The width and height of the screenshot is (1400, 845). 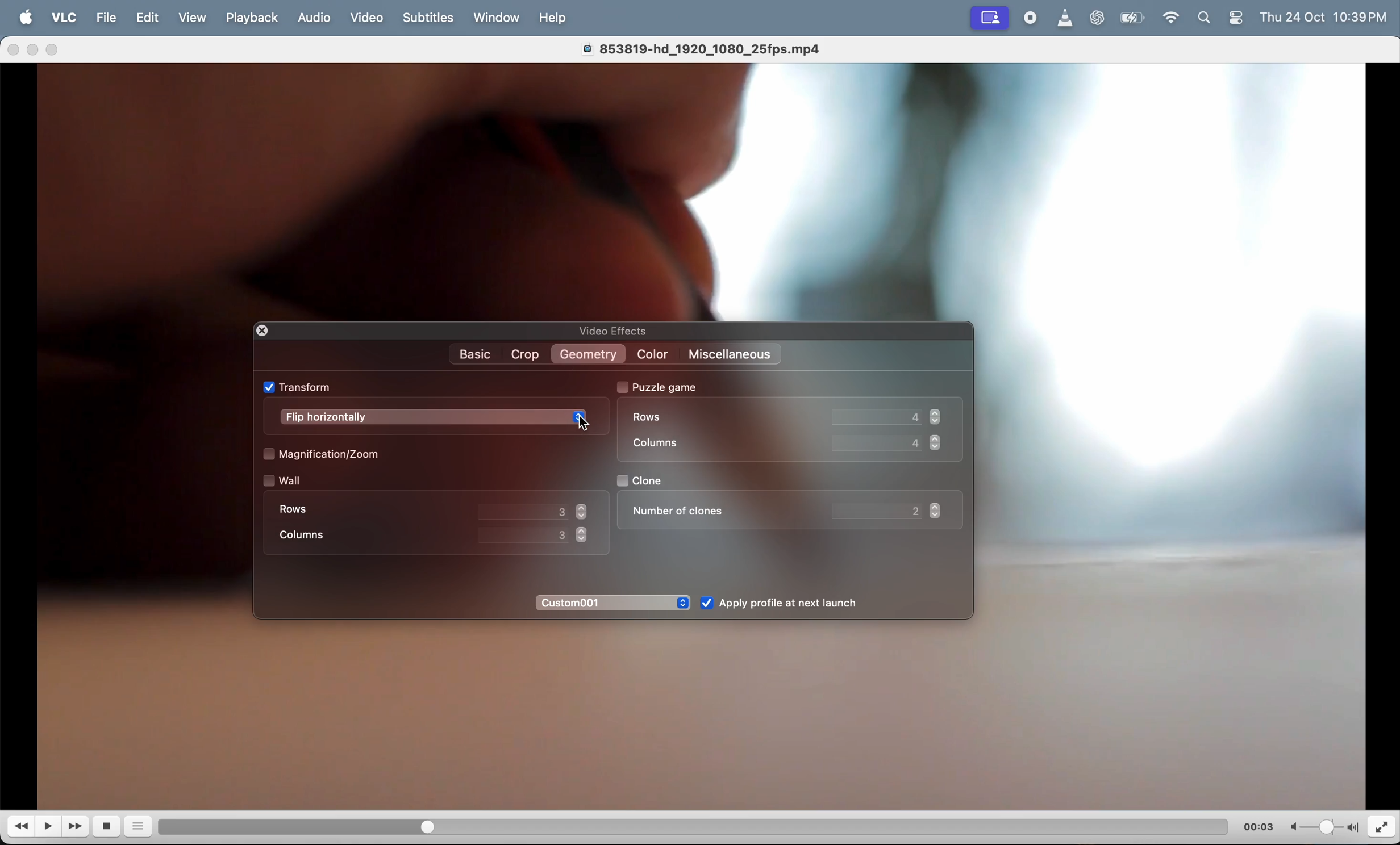 What do you see at coordinates (367, 15) in the screenshot?
I see `video` at bounding box center [367, 15].